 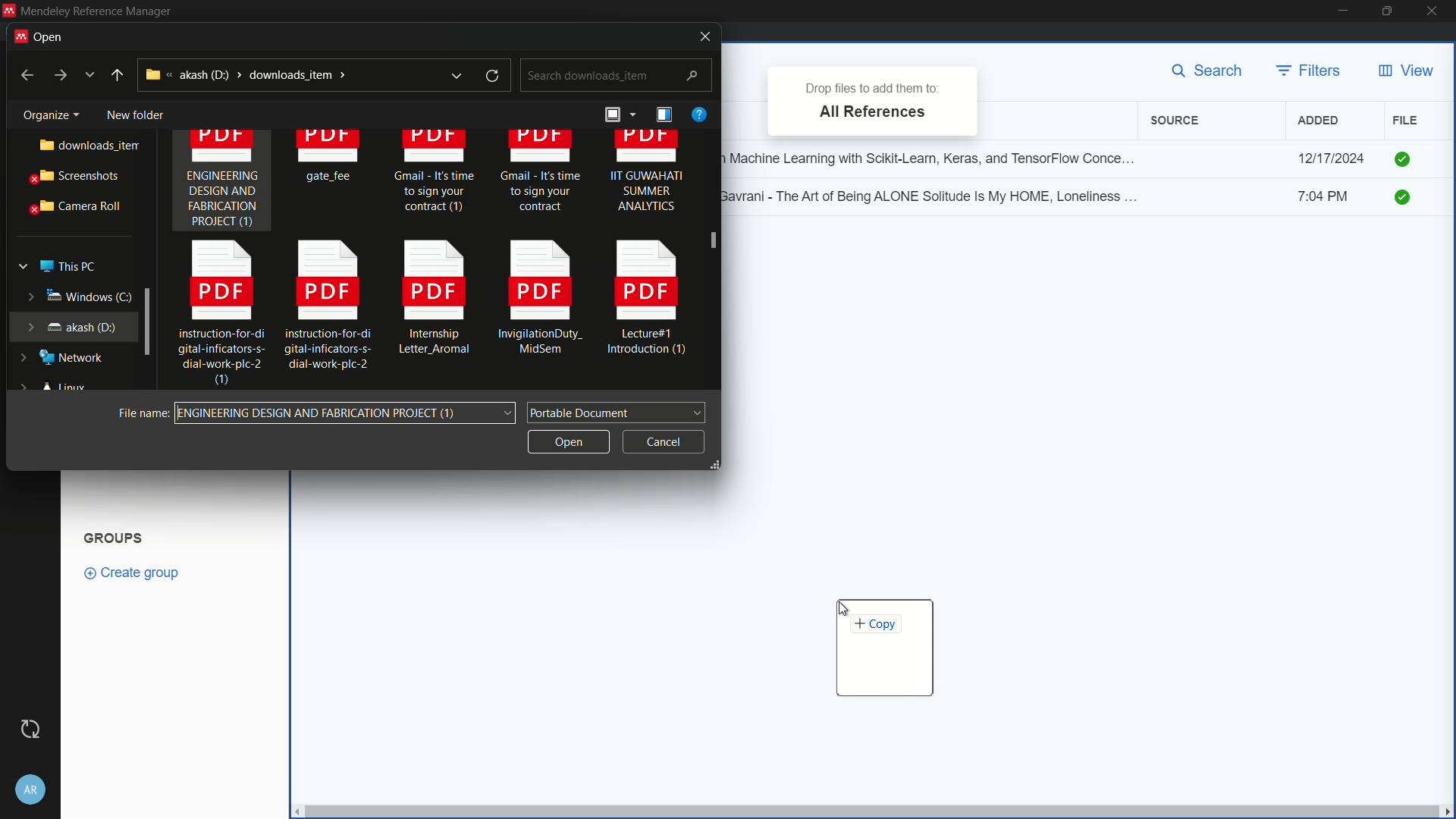 What do you see at coordinates (1407, 199) in the screenshot?
I see `check` at bounding box center [1407, 199].